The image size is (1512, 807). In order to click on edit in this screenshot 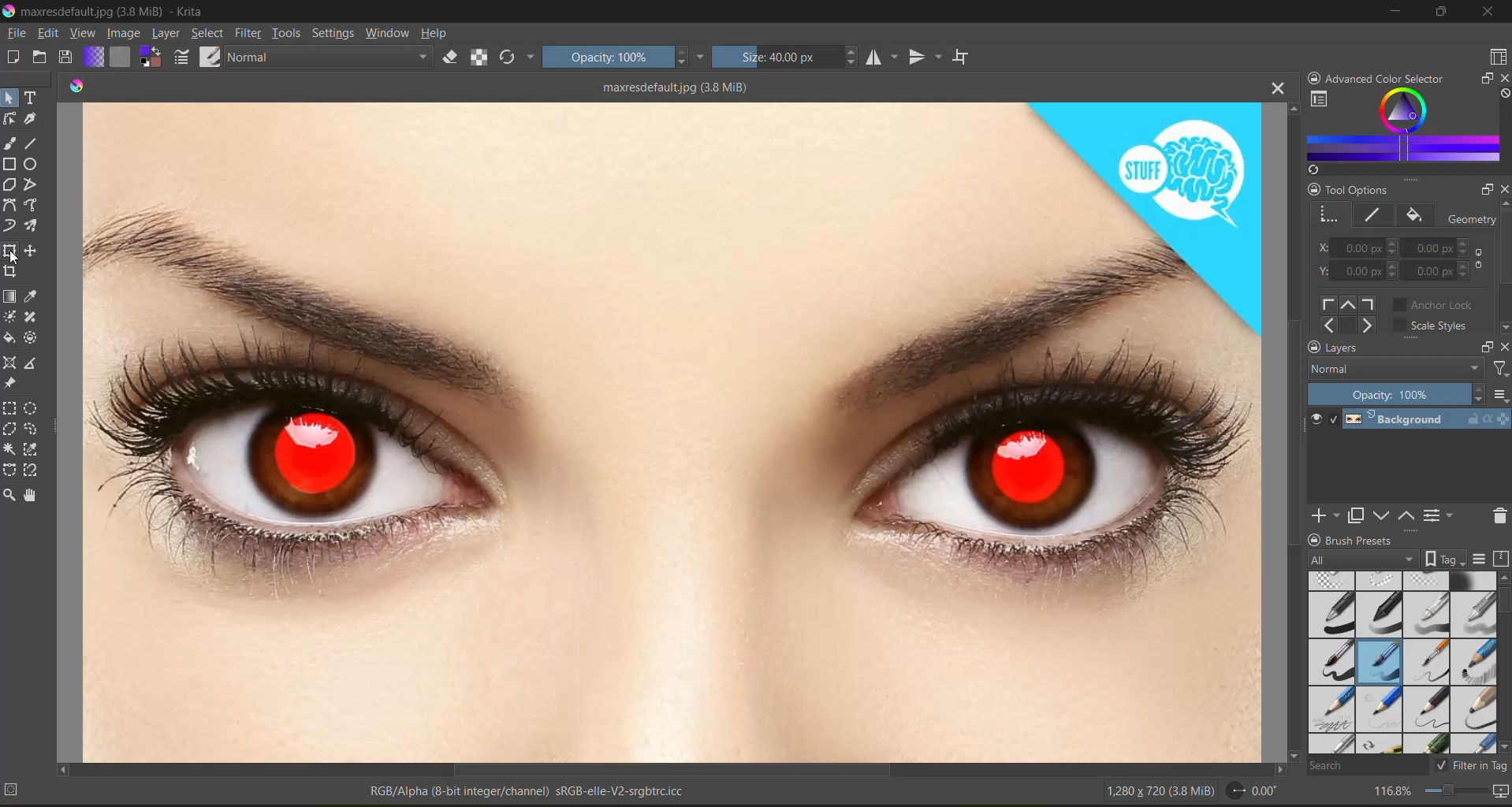, I will do `click(48, 33)`.